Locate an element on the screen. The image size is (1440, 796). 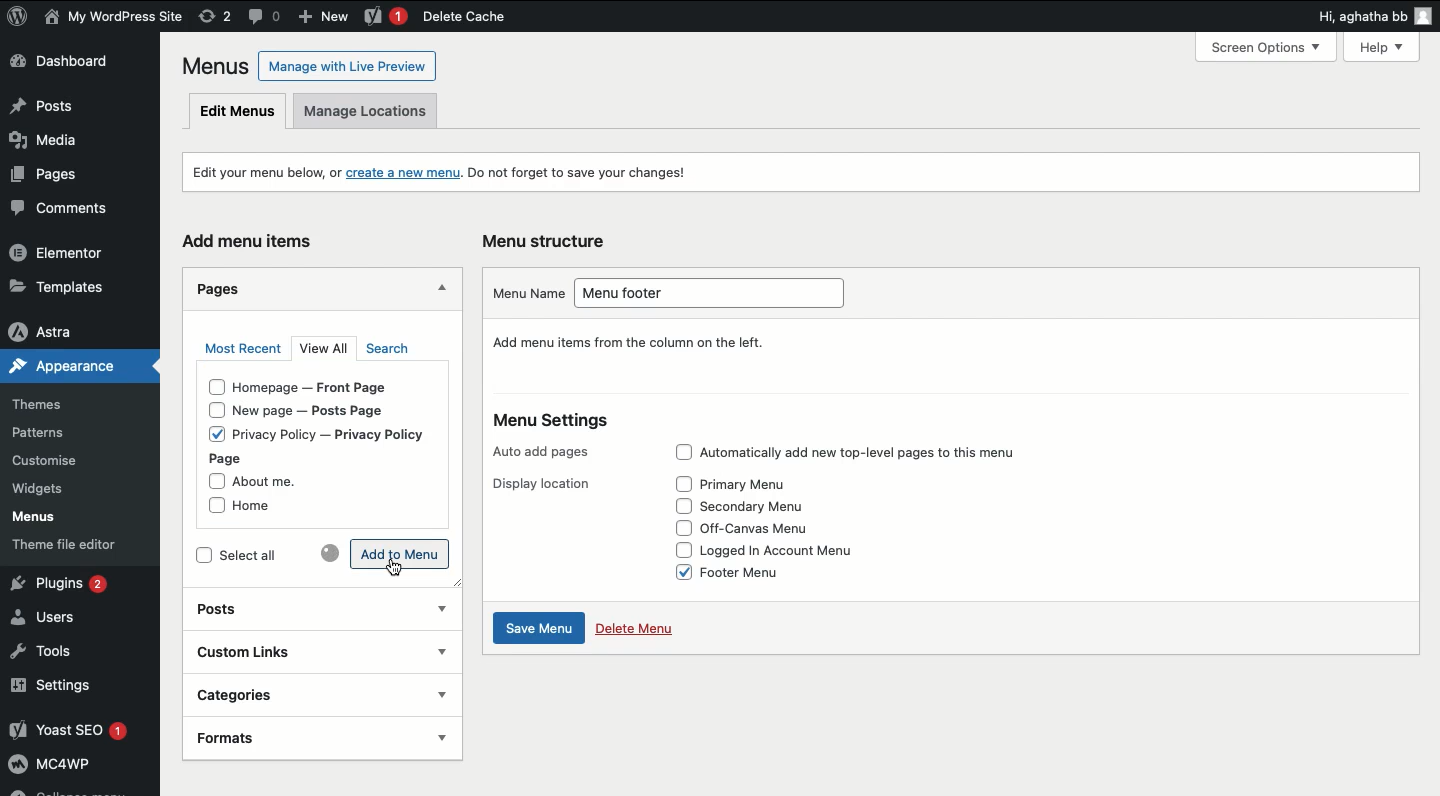
Pages is located at coordinates (43, 179).